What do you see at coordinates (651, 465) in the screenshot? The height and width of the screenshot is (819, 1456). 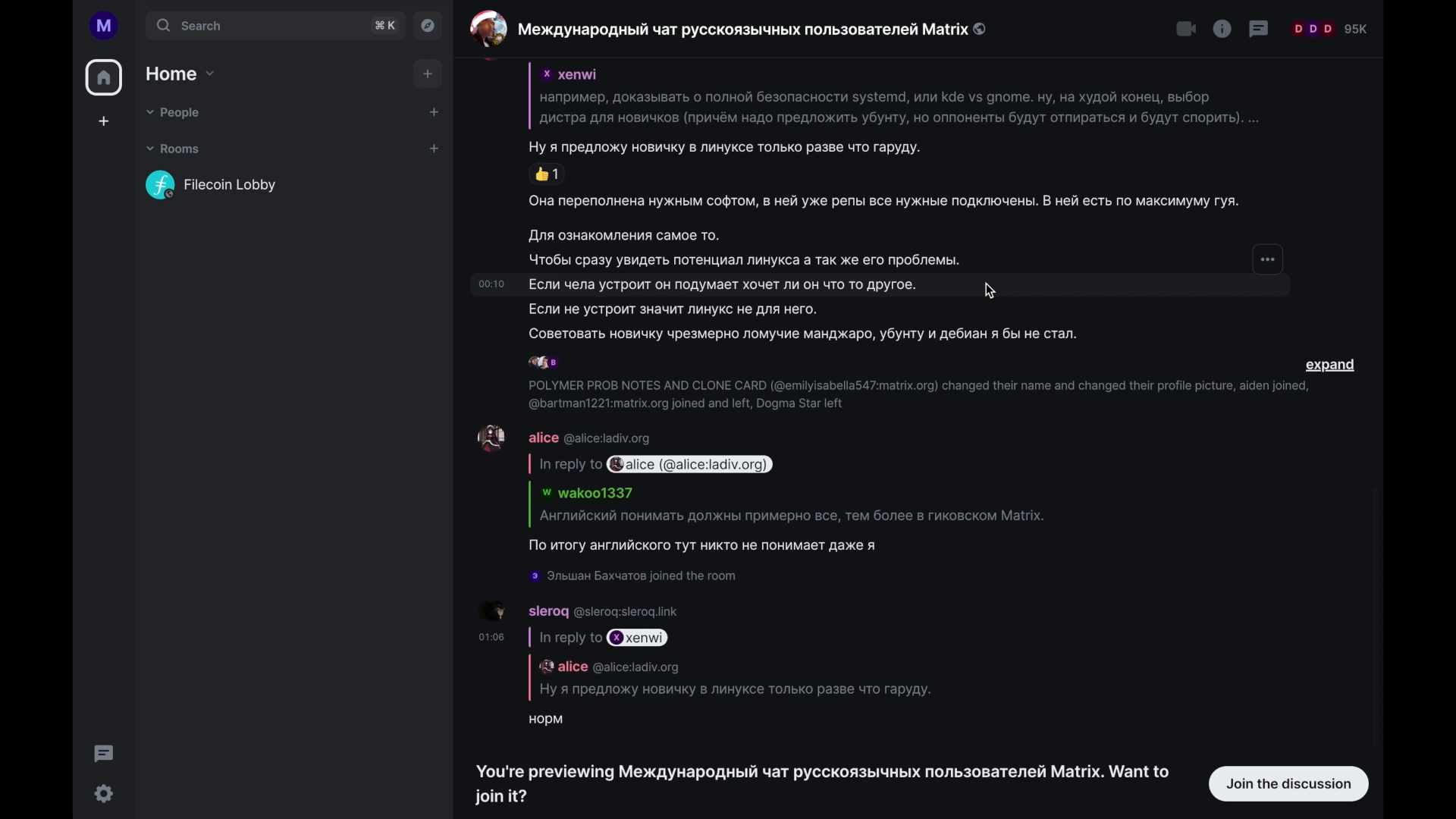 I see `in reply to alice (@alice:ladiv.org)` at bounding box center [651, 465].